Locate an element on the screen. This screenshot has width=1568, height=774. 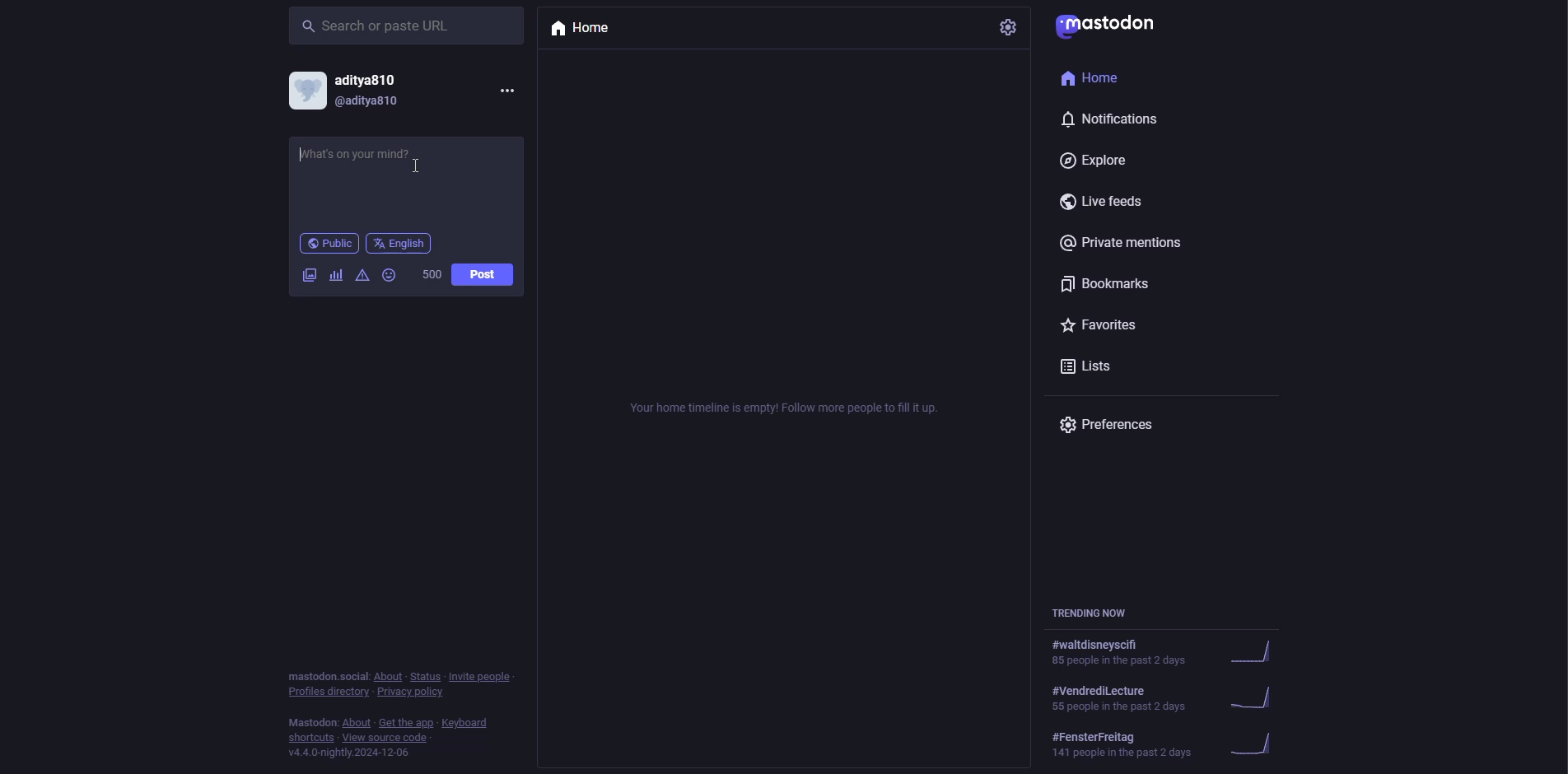
search is located at coordinates (376, 25).